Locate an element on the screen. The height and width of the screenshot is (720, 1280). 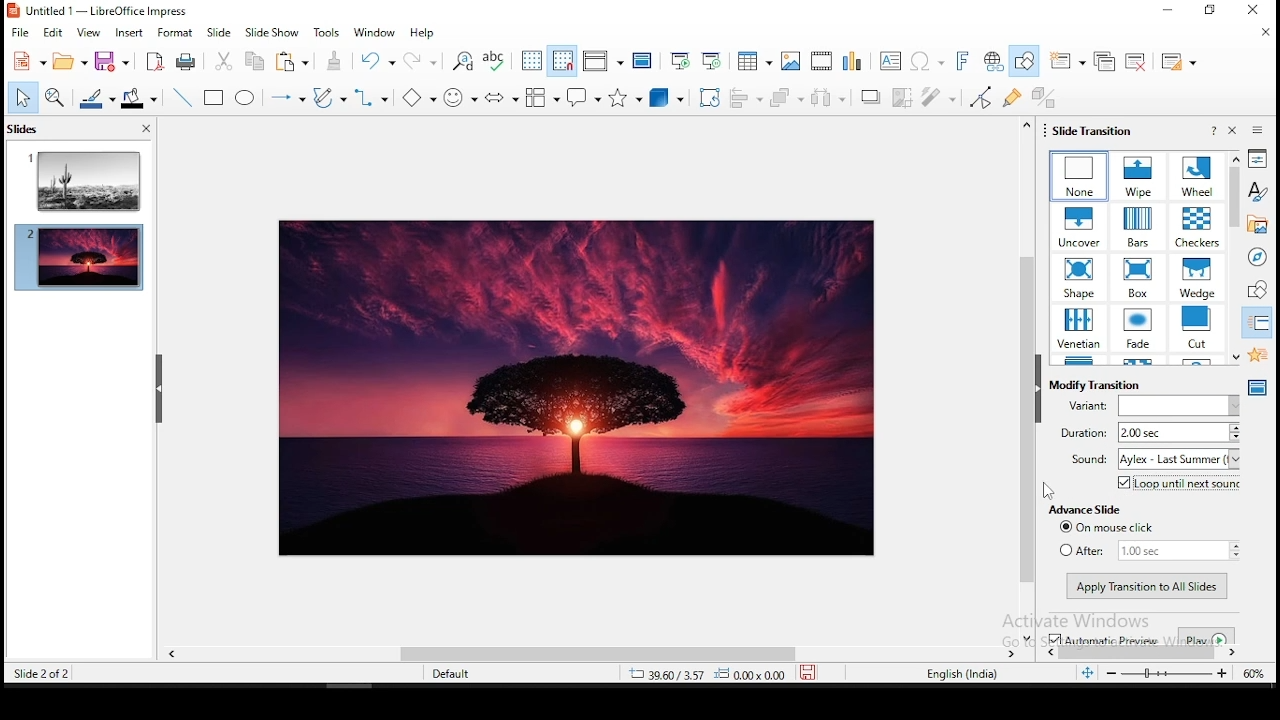
new is located at coordinates (25, 64).